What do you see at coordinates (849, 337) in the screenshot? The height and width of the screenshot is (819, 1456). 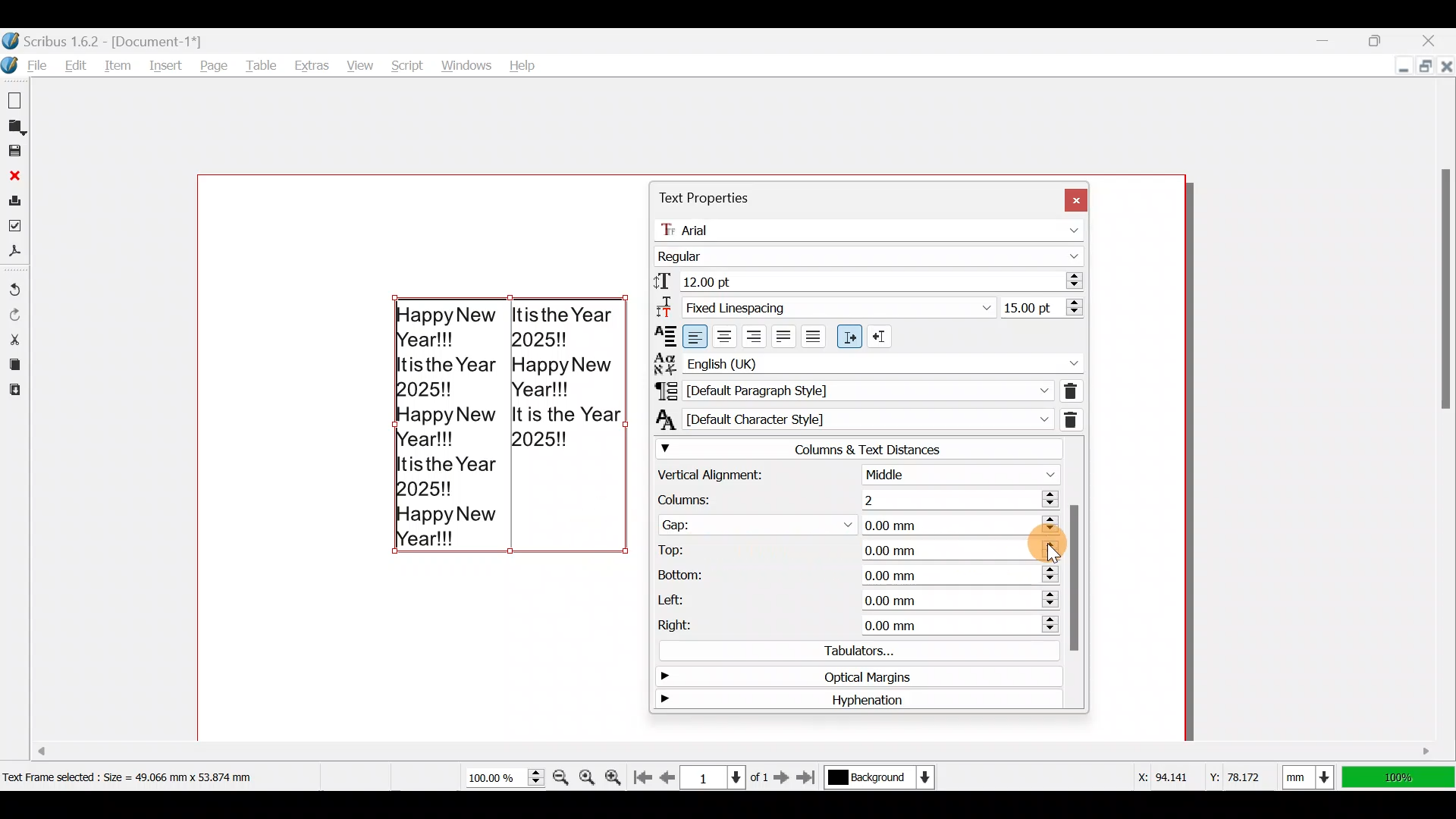 I see `Left to right paragraph` at bounding box center [849, 337].